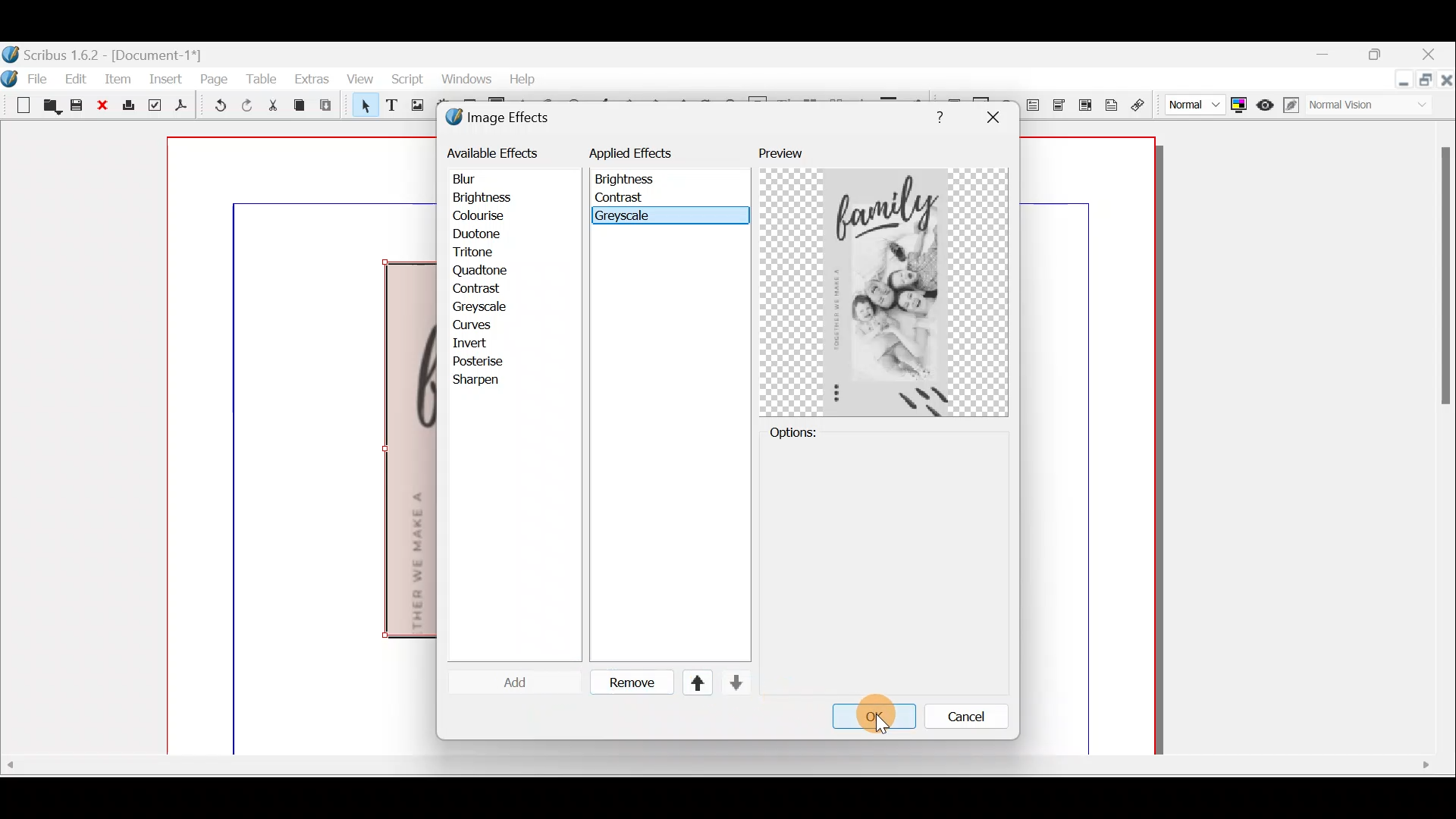  What do you see at coordinates (363, 105) in the screenshot?
I see `Select item` at bounding box center [363, 105].